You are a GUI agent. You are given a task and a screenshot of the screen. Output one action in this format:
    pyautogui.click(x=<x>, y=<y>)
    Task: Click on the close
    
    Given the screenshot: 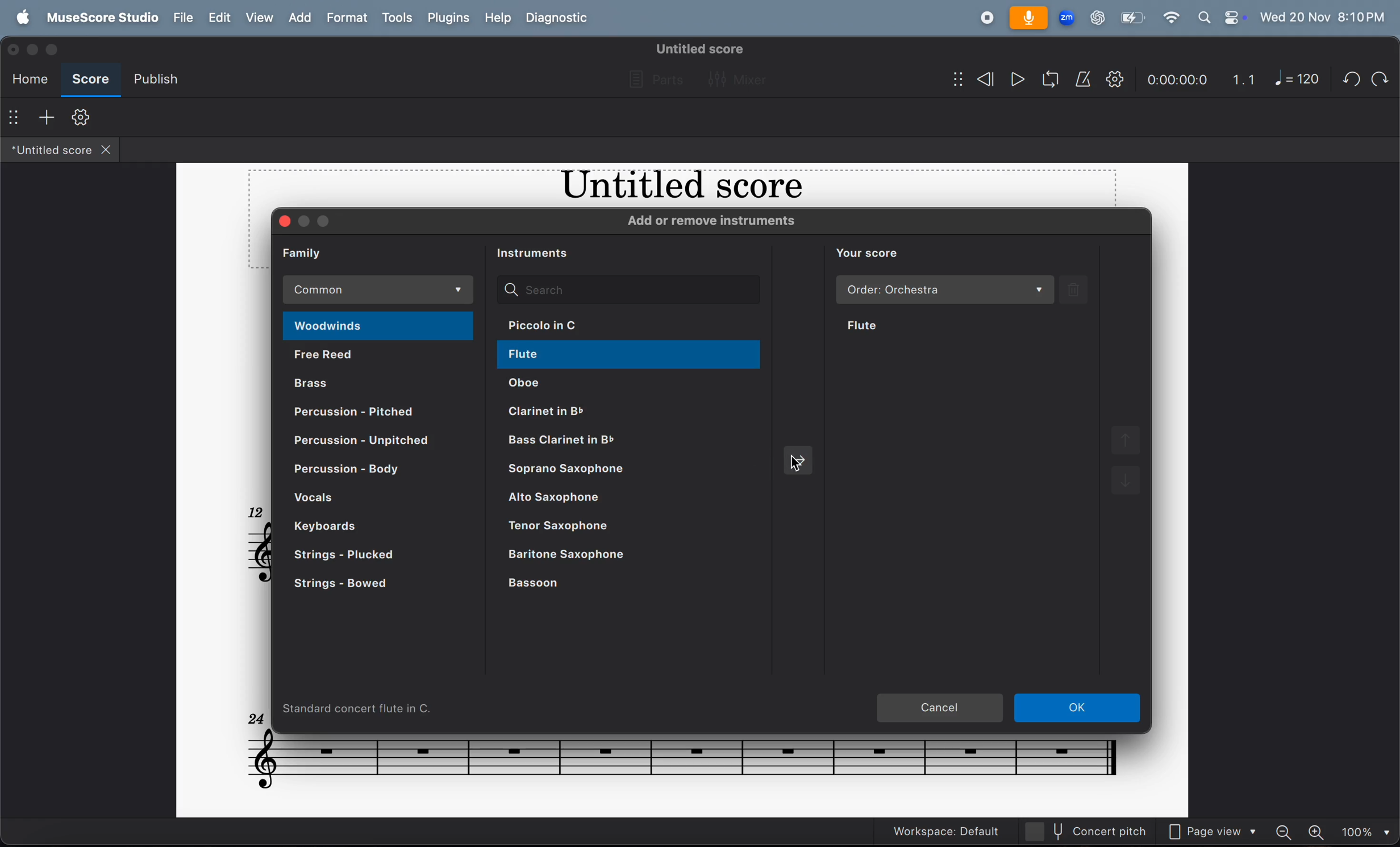 What is the action you would take?
    pyautogui.click(x=15, y=52)
    